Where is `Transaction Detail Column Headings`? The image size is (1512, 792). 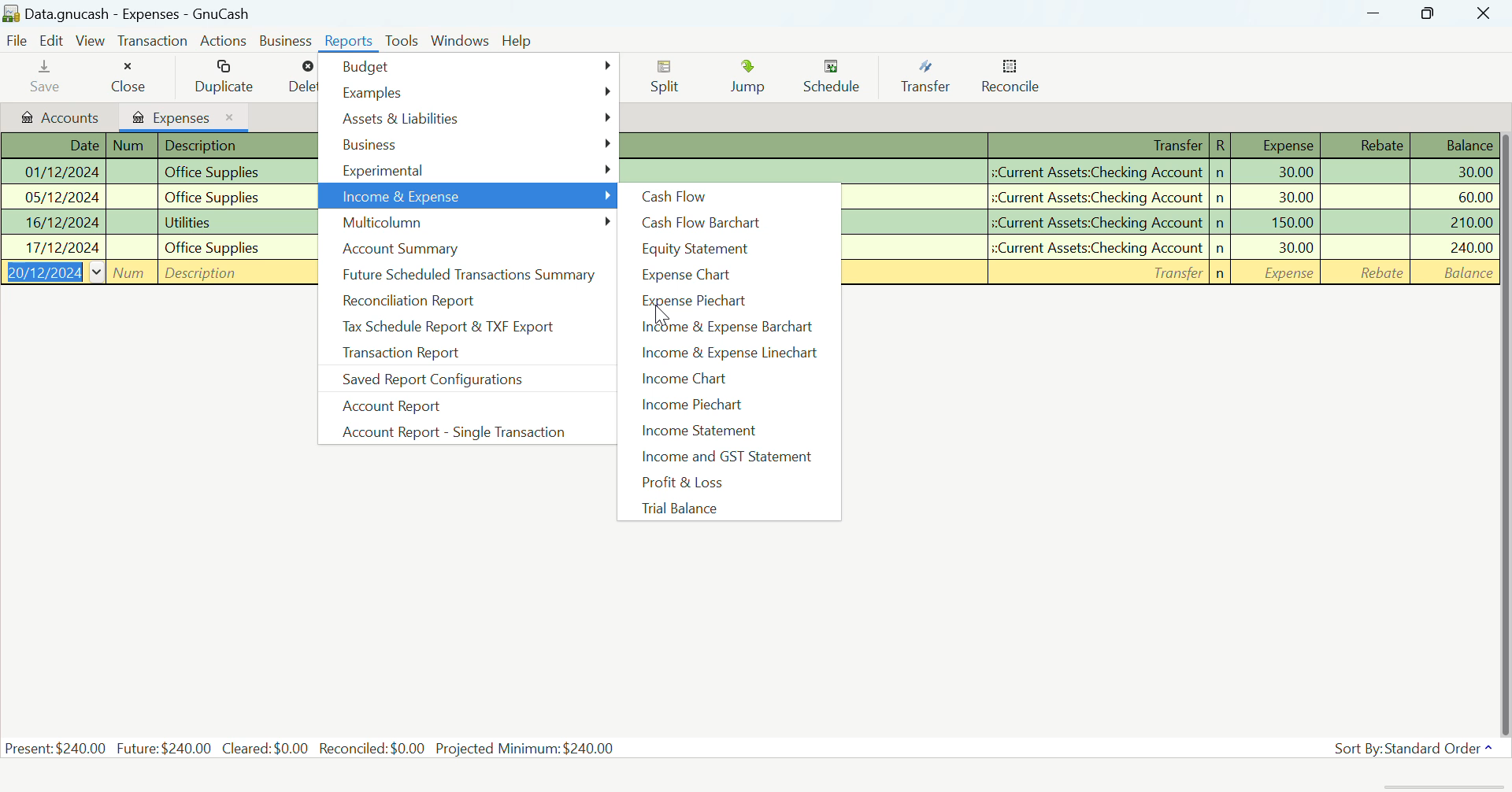
Transaction Detail Column Headings is located at coordinates (156, 146).